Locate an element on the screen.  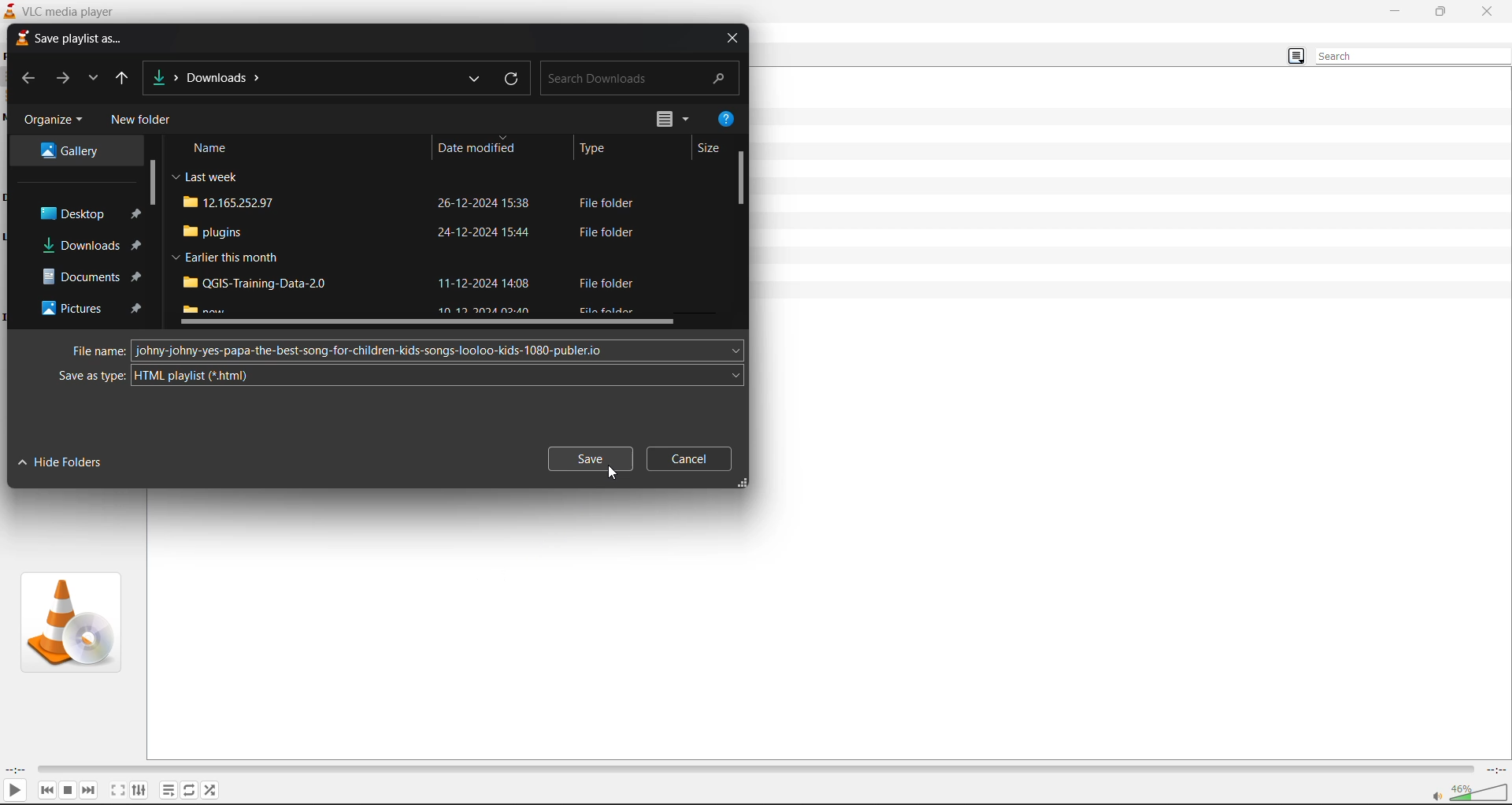
file name , date modified and type is located at coordinates (435, 205).